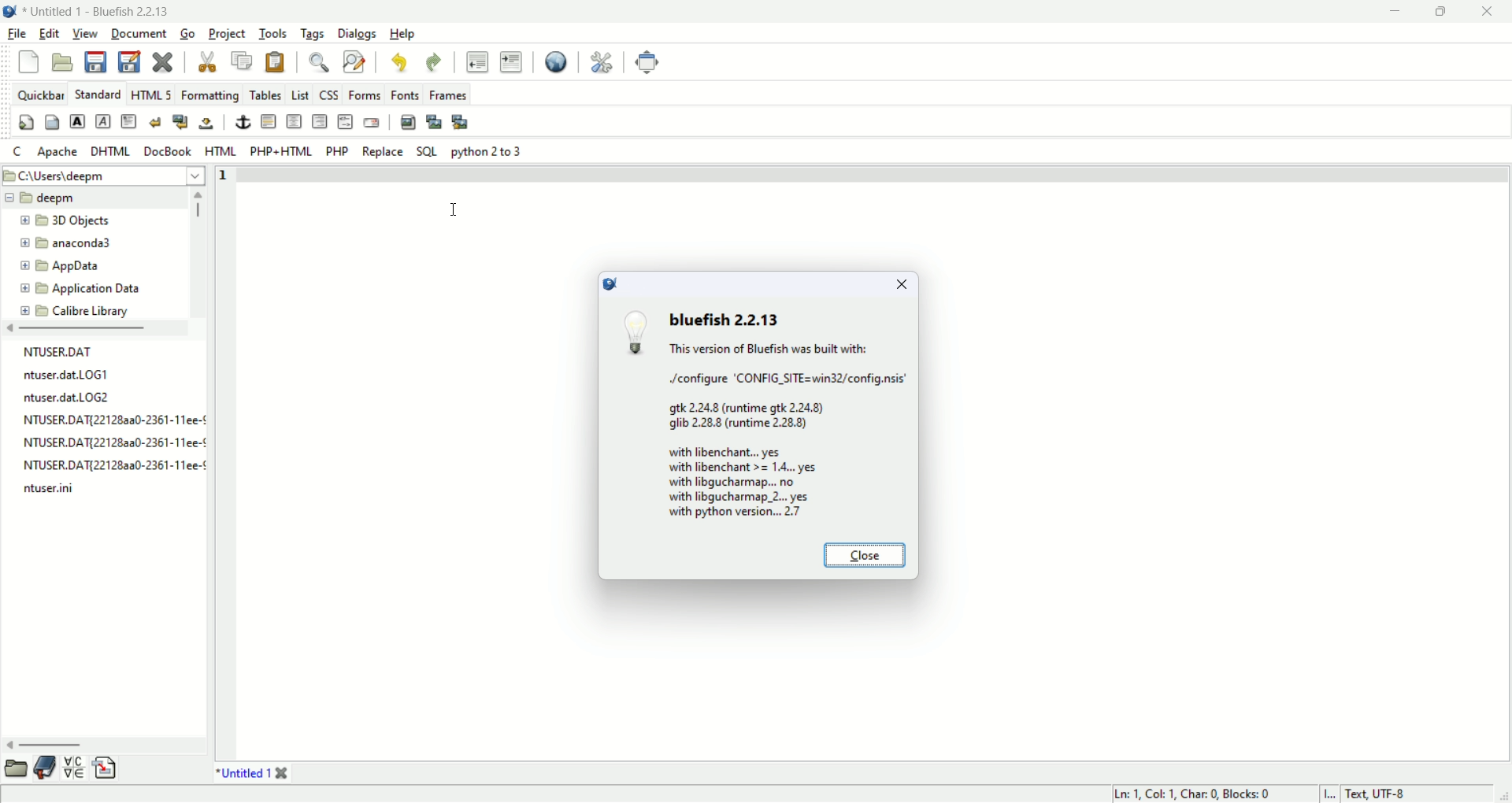  I want to click on File path, so click(103, 176).